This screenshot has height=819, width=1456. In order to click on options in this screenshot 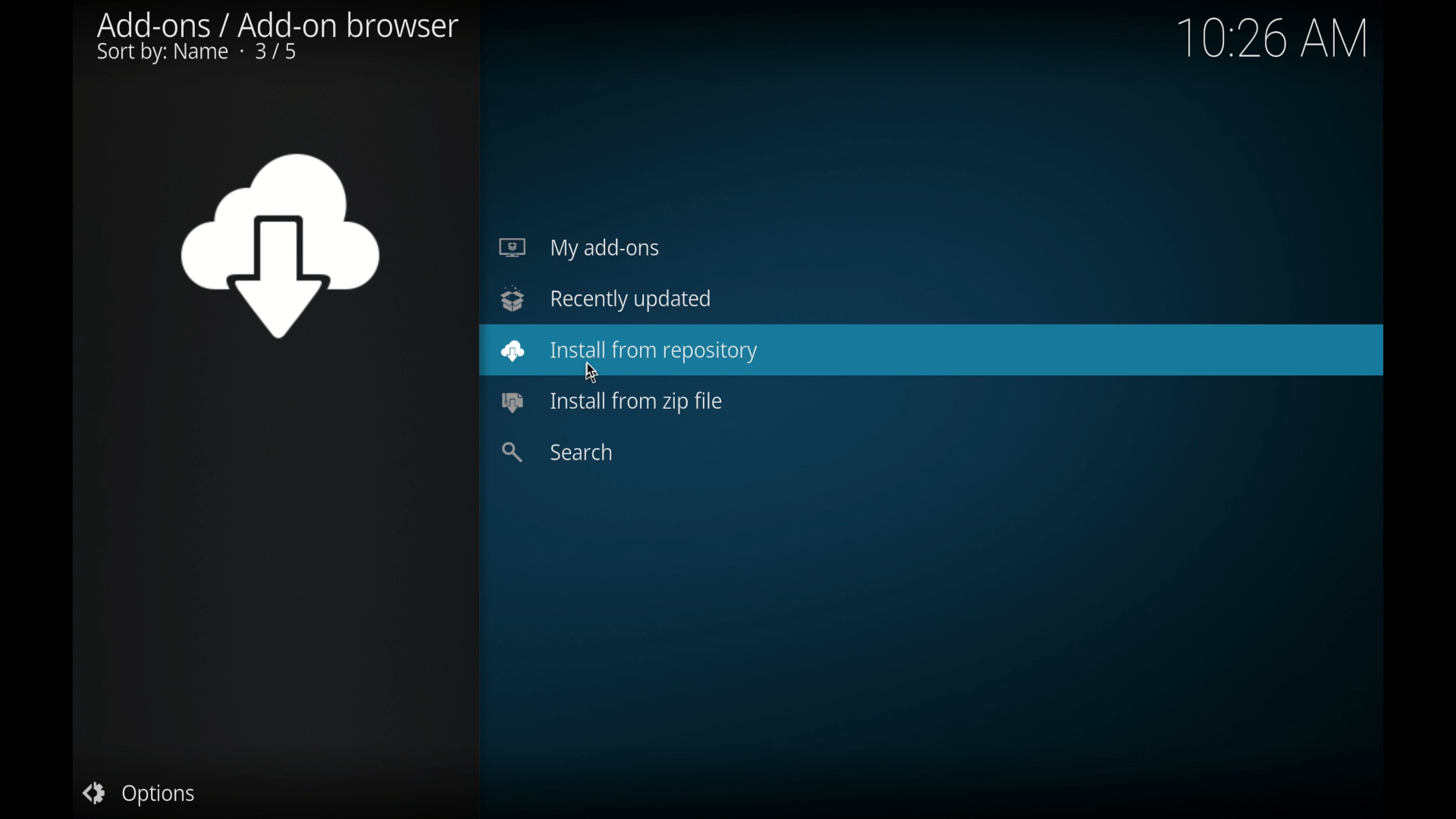, I will do `click(137, 794)`.